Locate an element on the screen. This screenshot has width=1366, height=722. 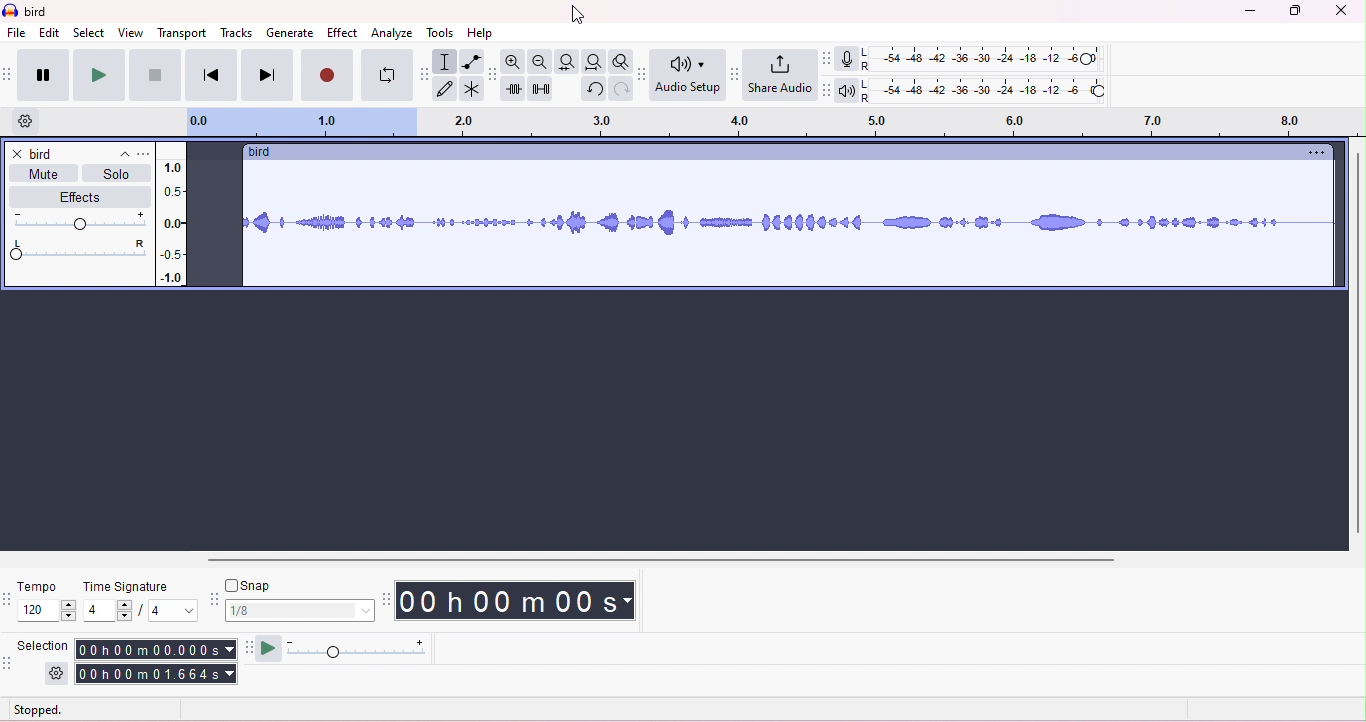
tools is located at coordinates (441, 33).